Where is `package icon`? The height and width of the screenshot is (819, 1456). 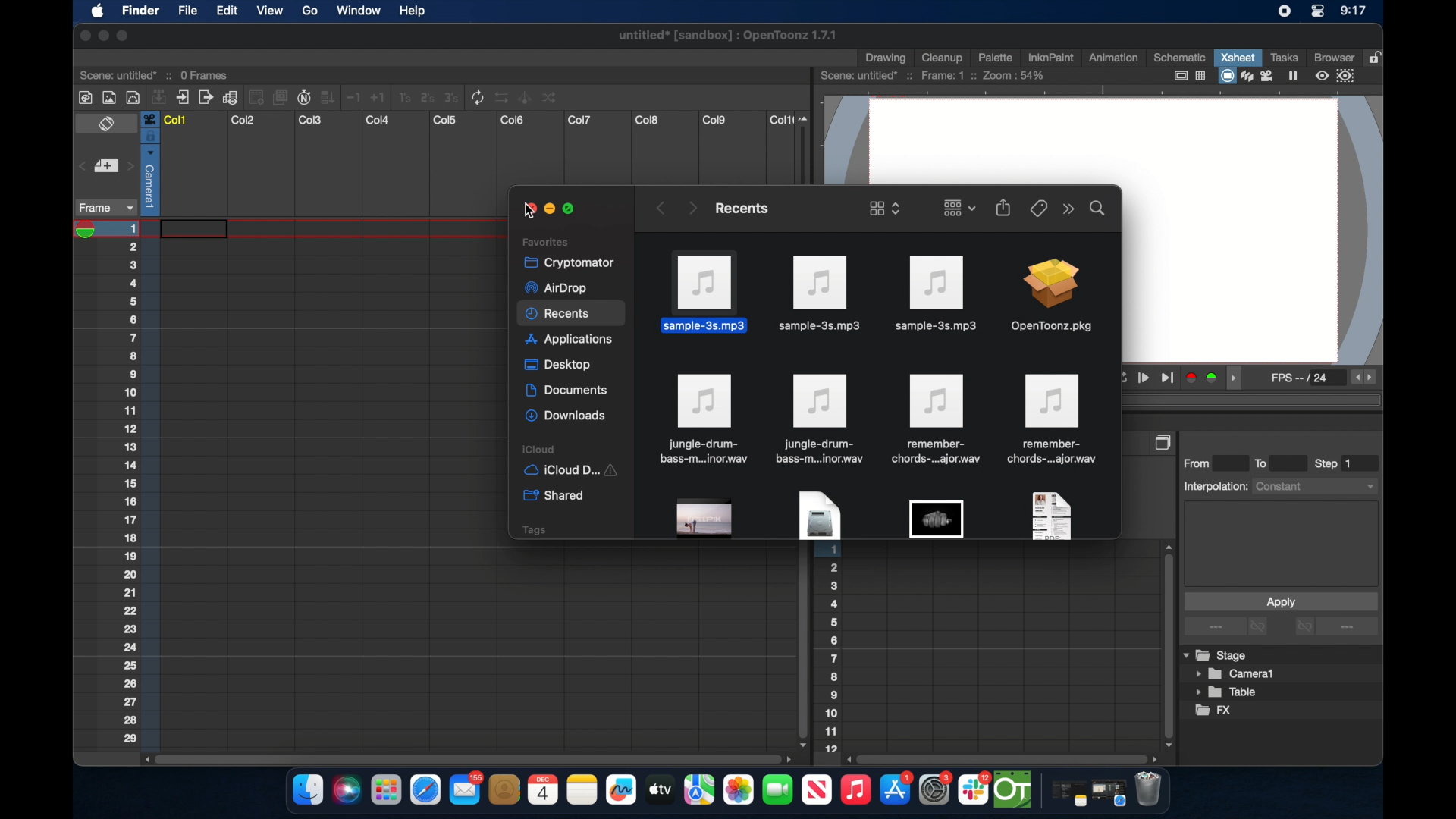
package icon is located at coordinates (1050, 297).